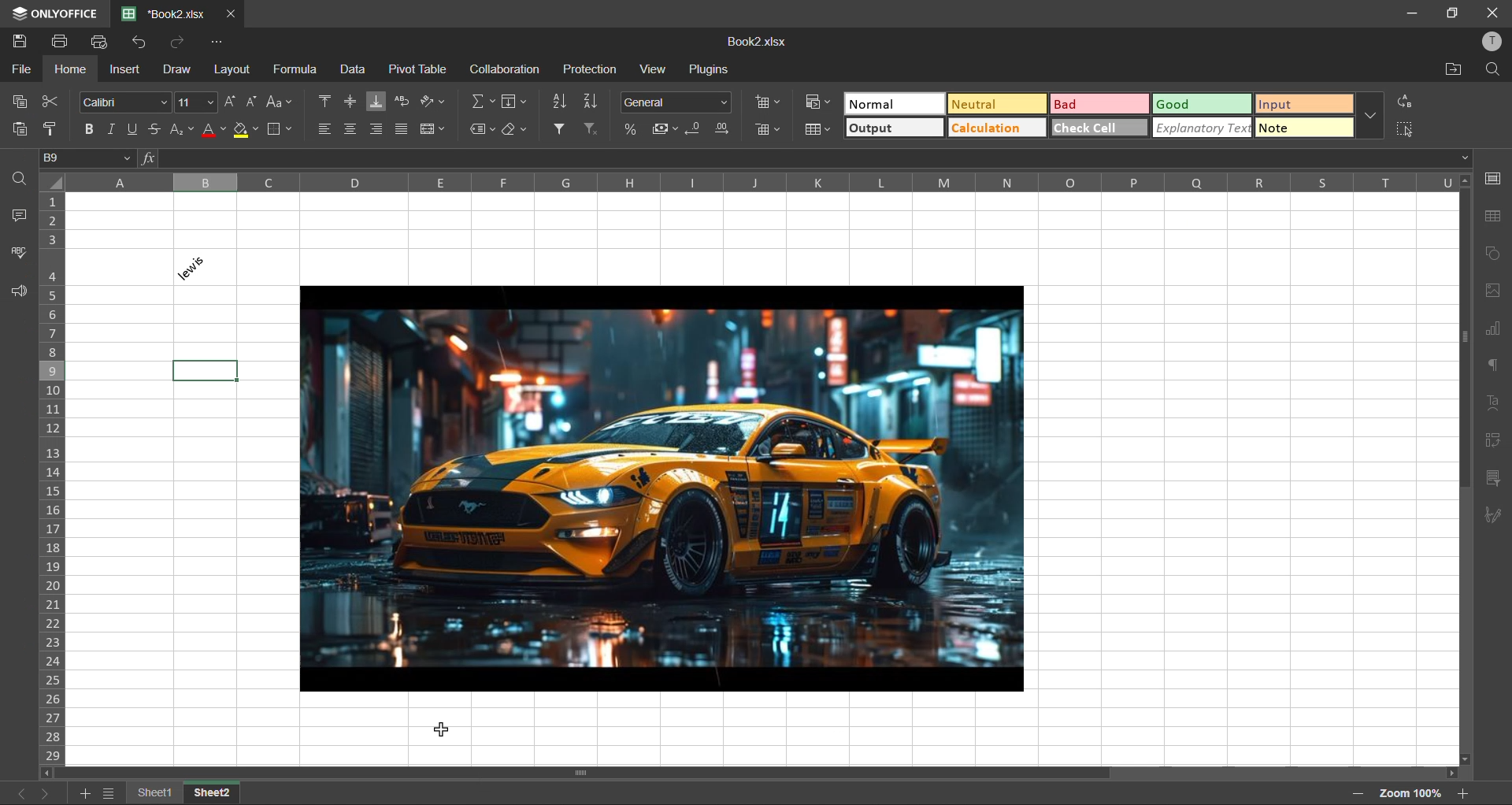  Describe the element at coordinates (54, 128) in the screenshot. I see `copy style` at that location.